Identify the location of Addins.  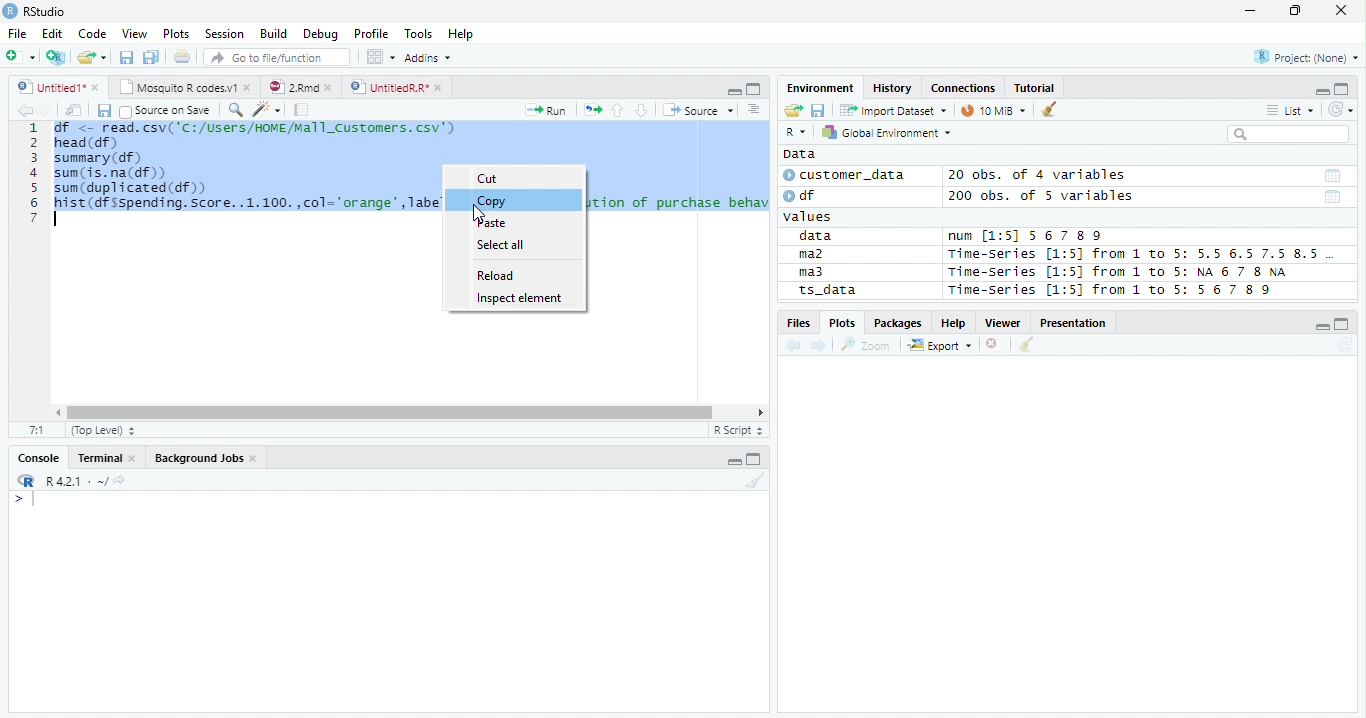
(430, 57).